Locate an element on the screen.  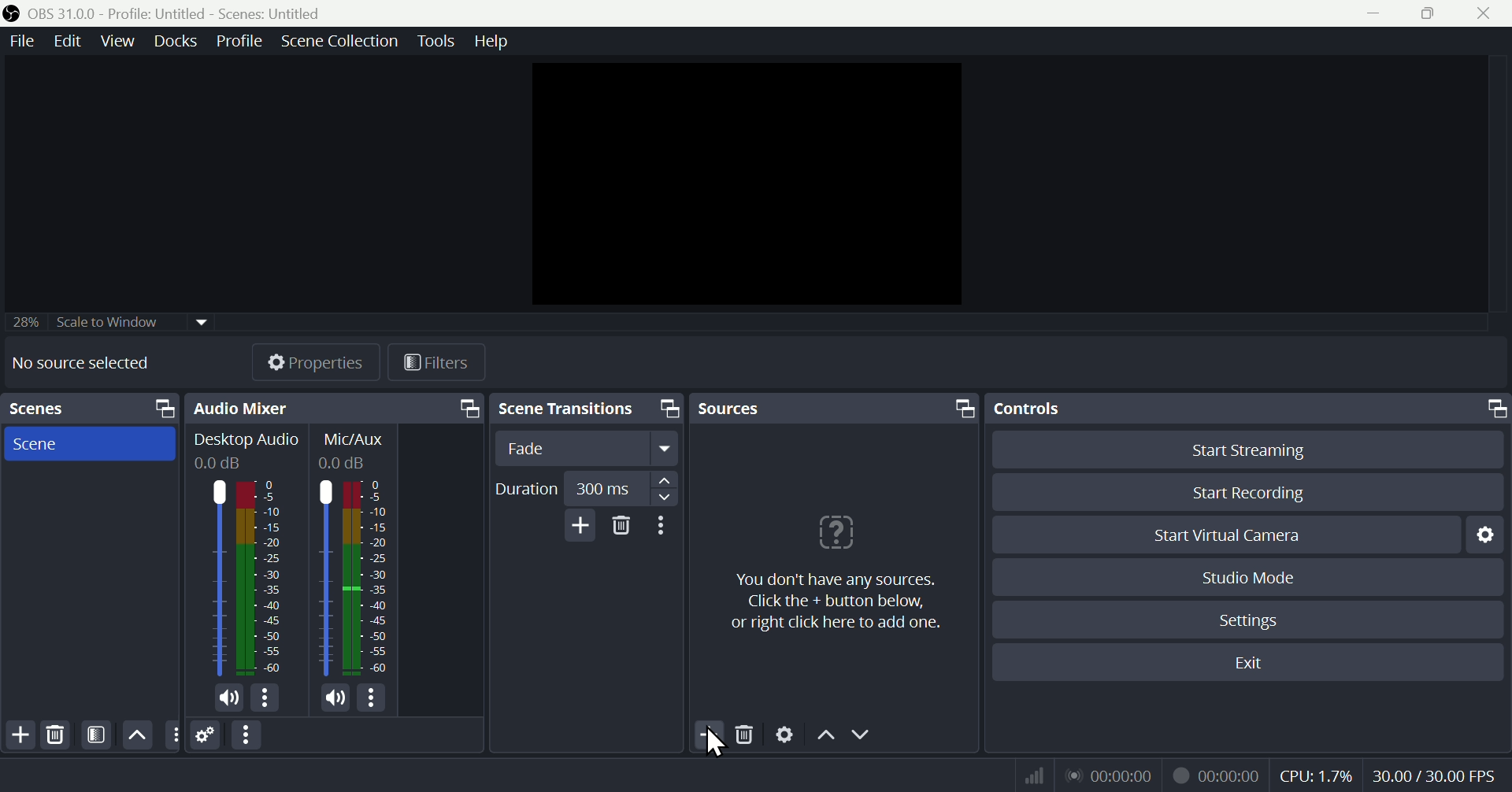
Scenes is located at coordinates (89, 409).